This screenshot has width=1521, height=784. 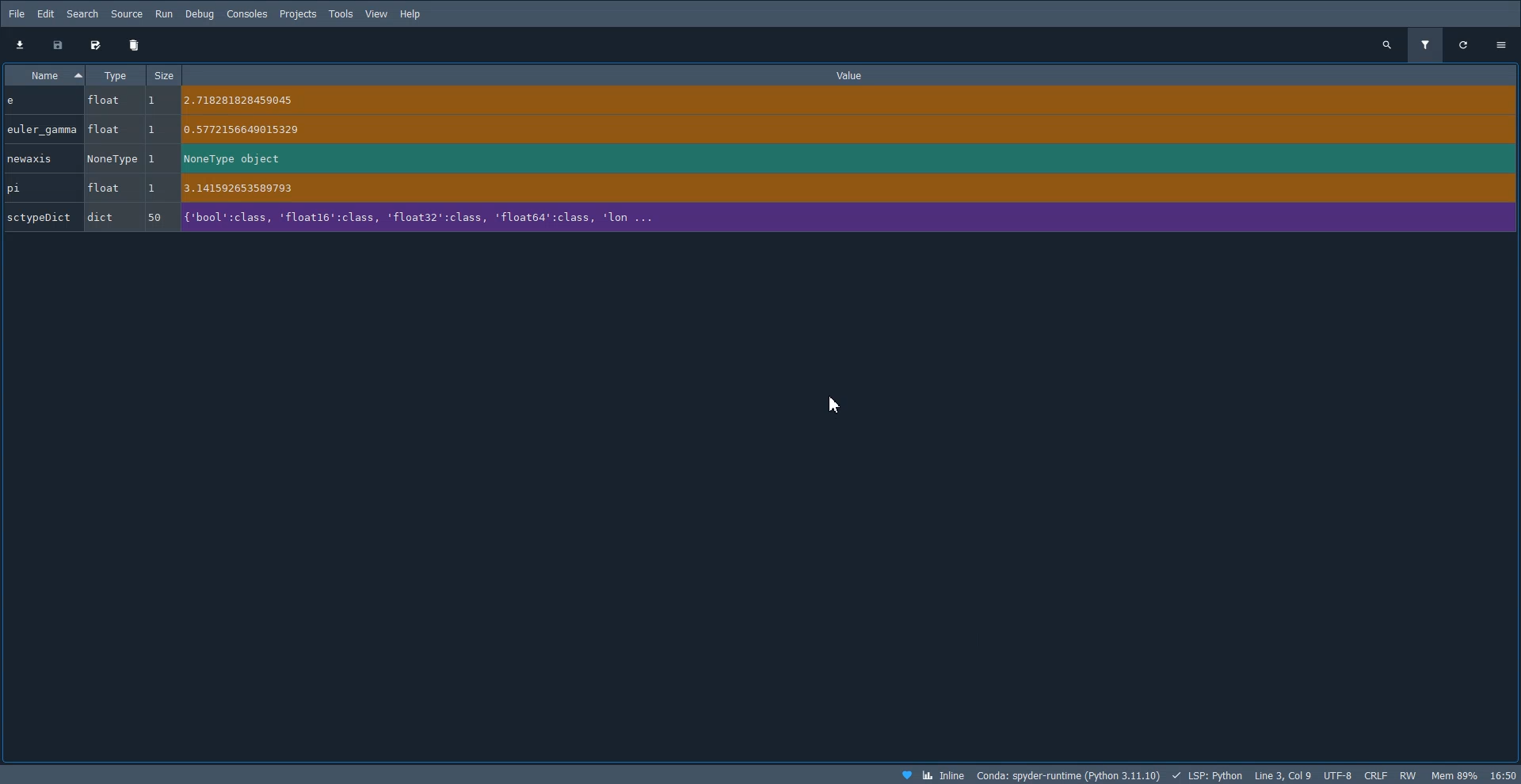 What do you see at coordinates (236, 158) in the screenshot?
I see `NoneType object` at bounding box center [236, 158].